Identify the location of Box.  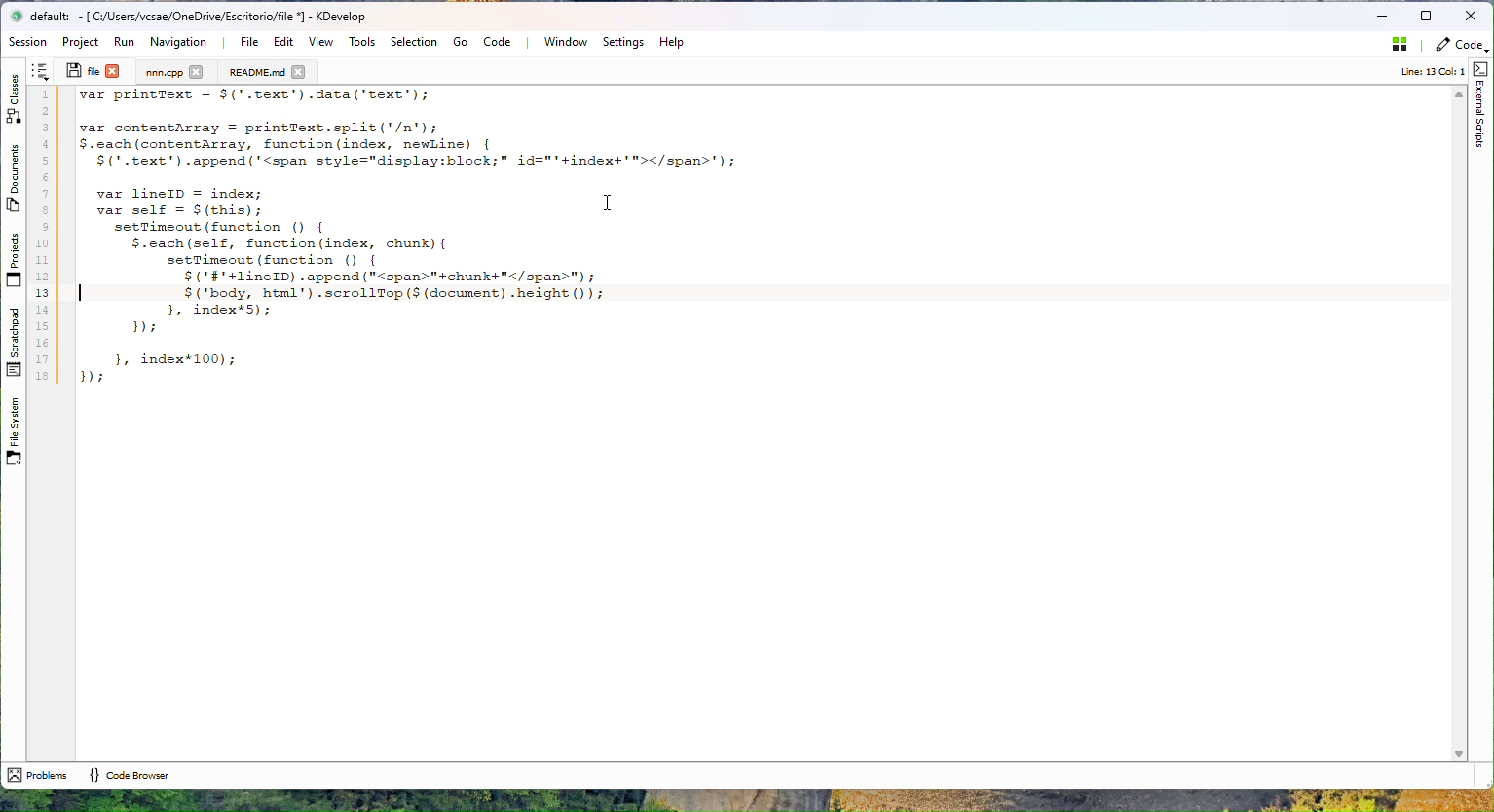
(1428, 15).